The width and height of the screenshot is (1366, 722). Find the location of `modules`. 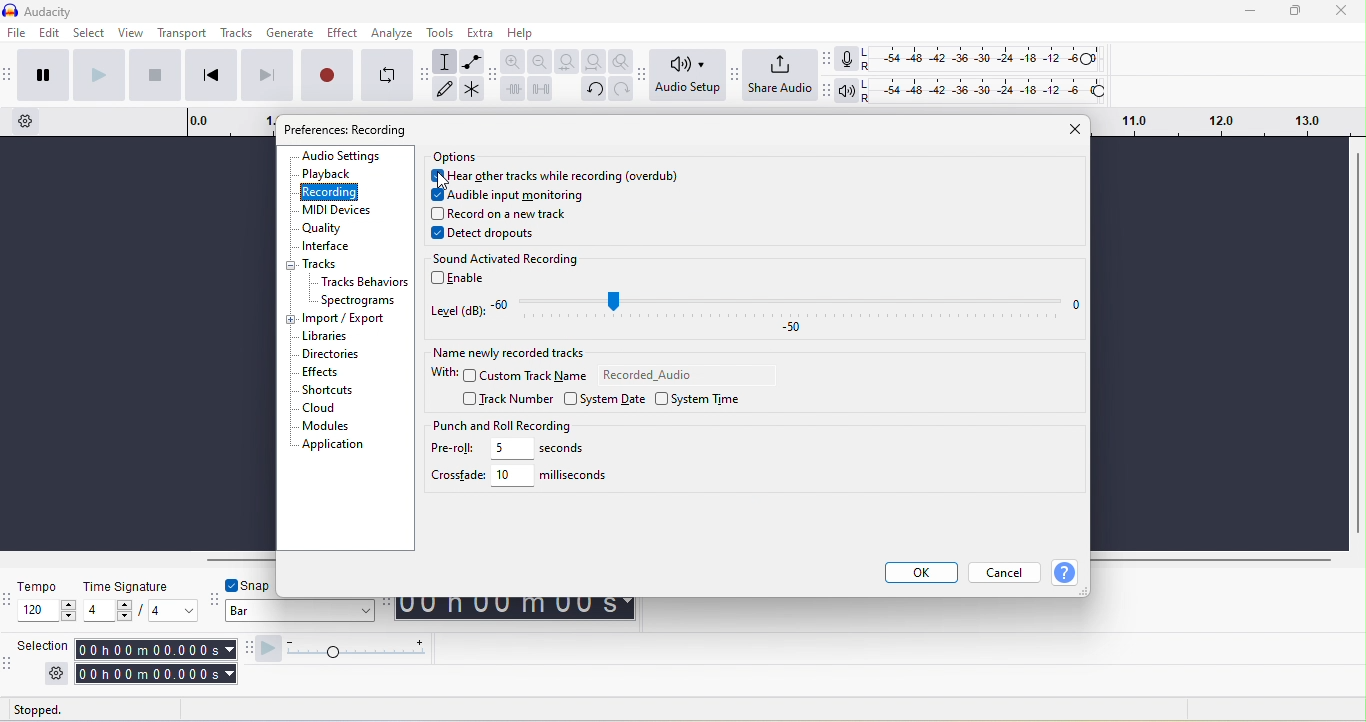

modules is located at coordinates (325, 427).